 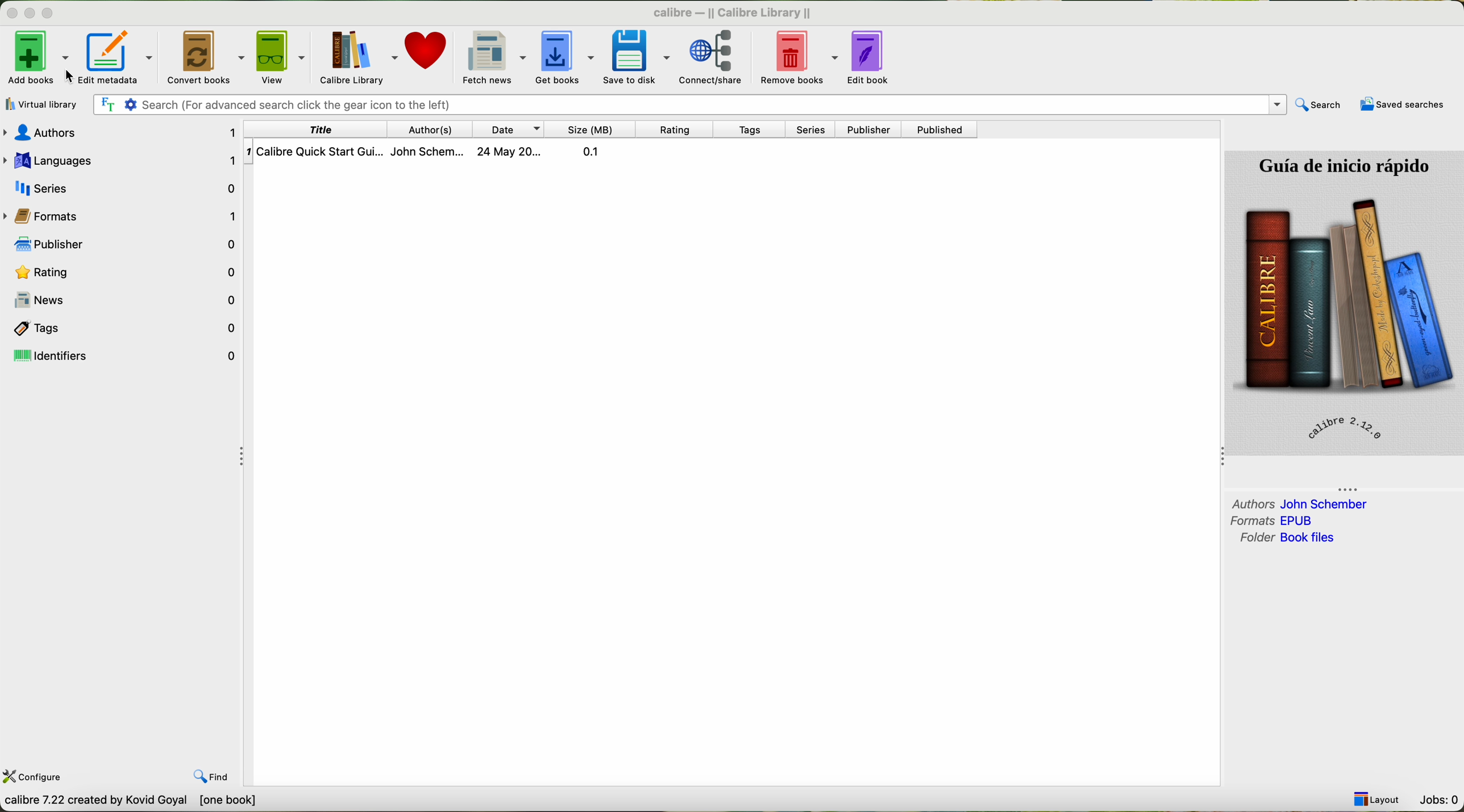 What do you see at coordinates (42, 105) in the screenshot?
I see `virtual library` at bounding box center [42, 105].